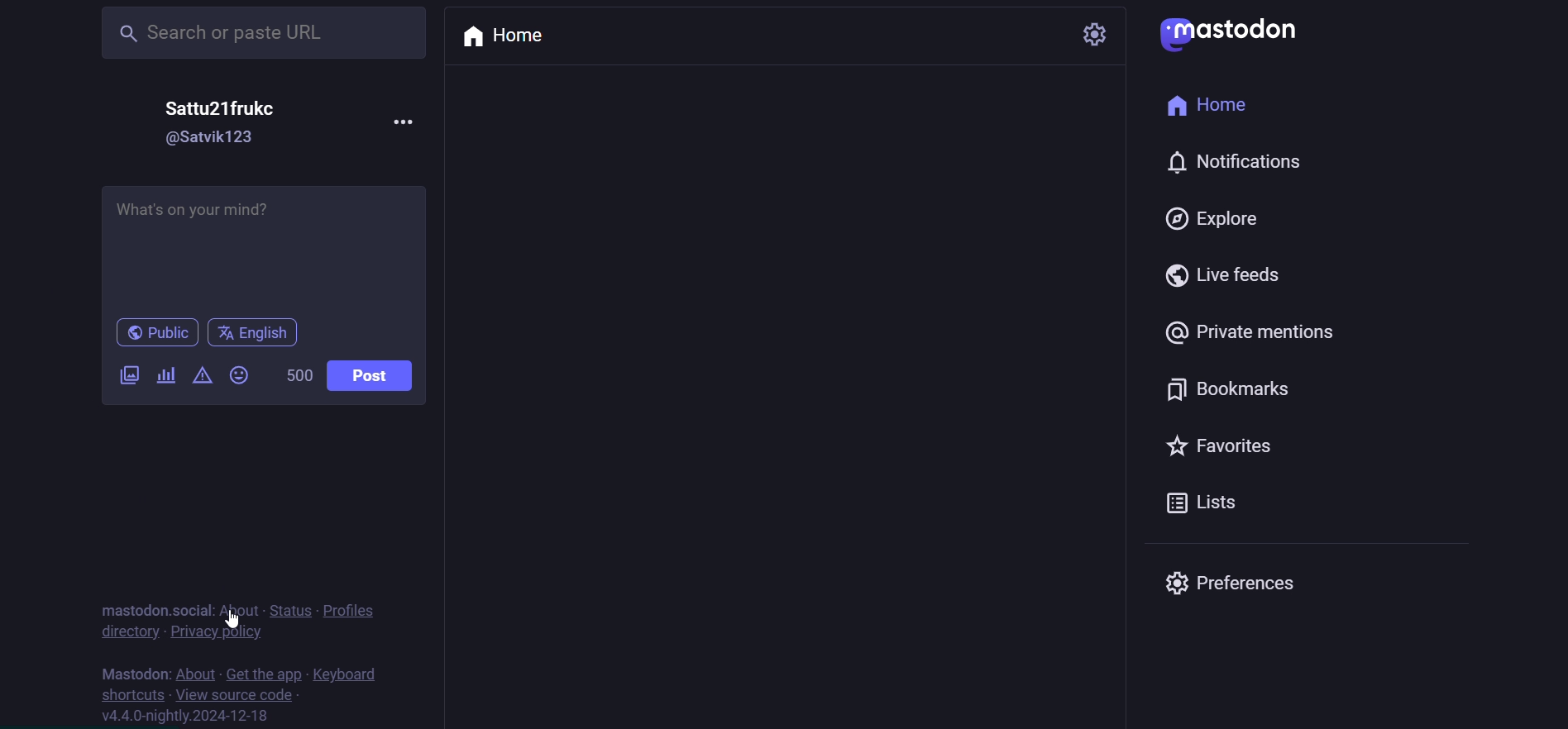  What do you see at coordinates (404, 119) in the screenshot?
I see `more` at bounding box center [404, 119].